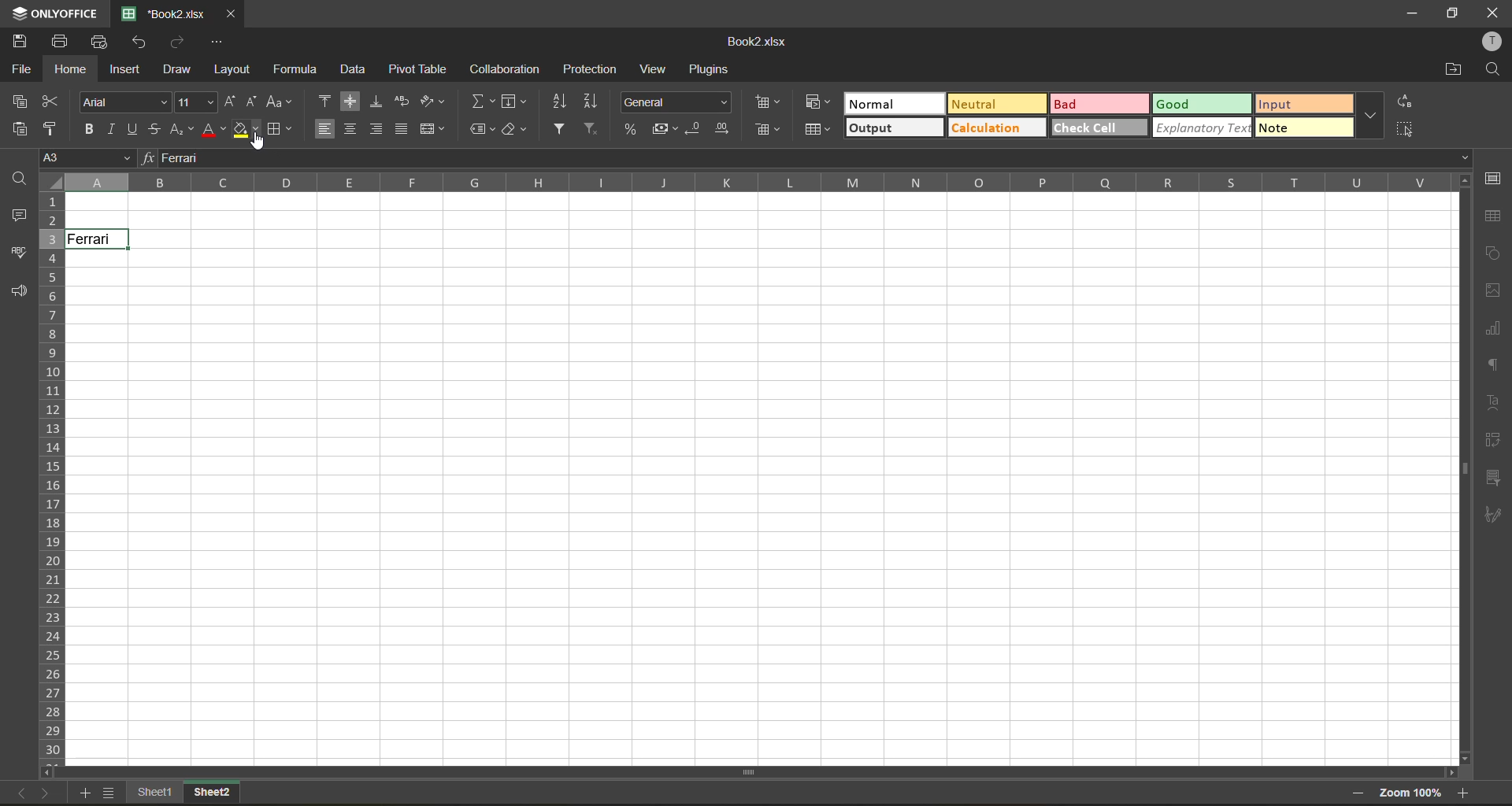 The height and width of the screenshot is (806, 1512). I want to click on find, so click(1492, 68).